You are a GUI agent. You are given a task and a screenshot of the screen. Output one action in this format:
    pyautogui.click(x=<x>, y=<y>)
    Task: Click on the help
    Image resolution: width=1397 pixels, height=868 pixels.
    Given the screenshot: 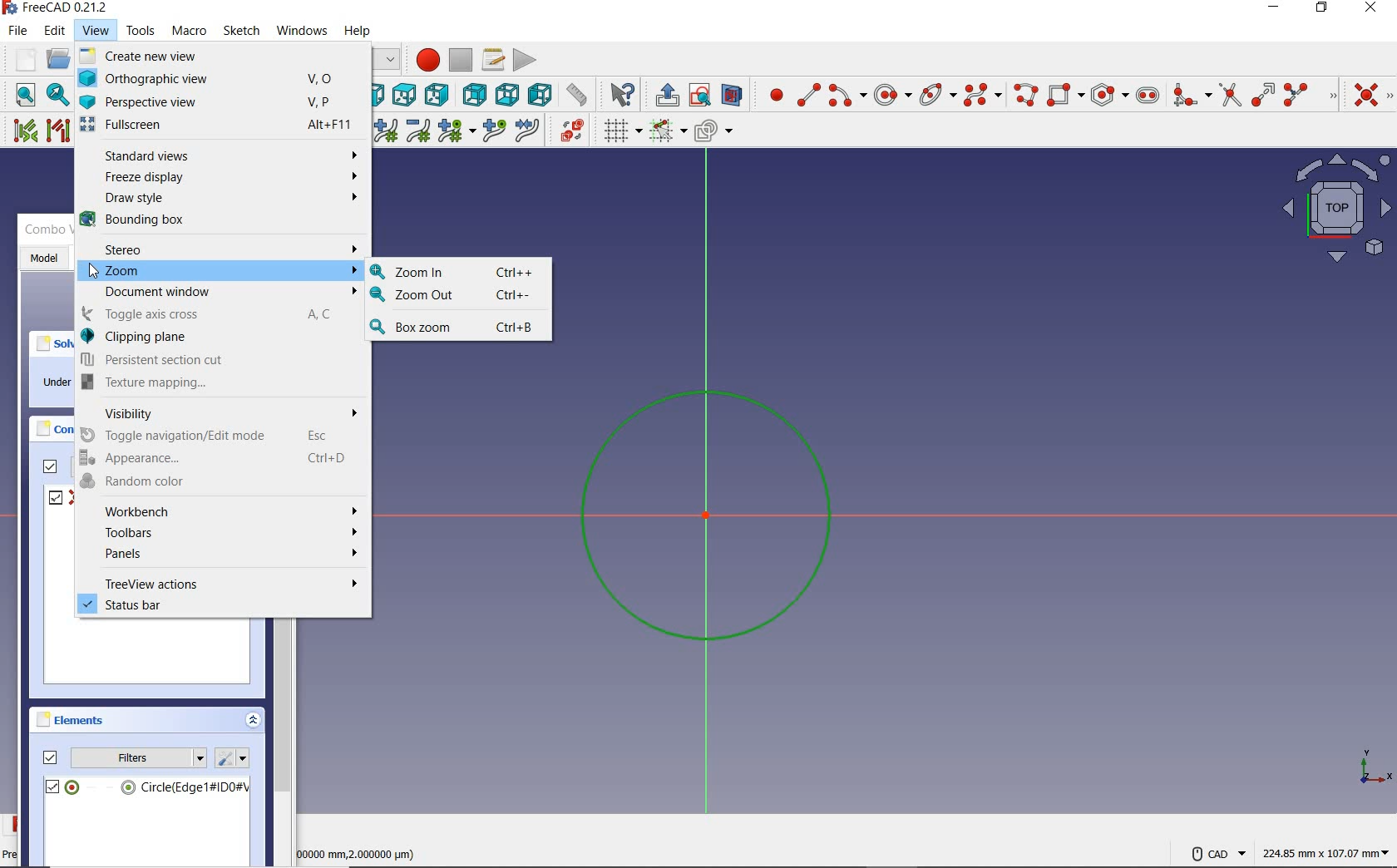 What is the action you would take?
    pyautogui.click(x=362, y=32)
    